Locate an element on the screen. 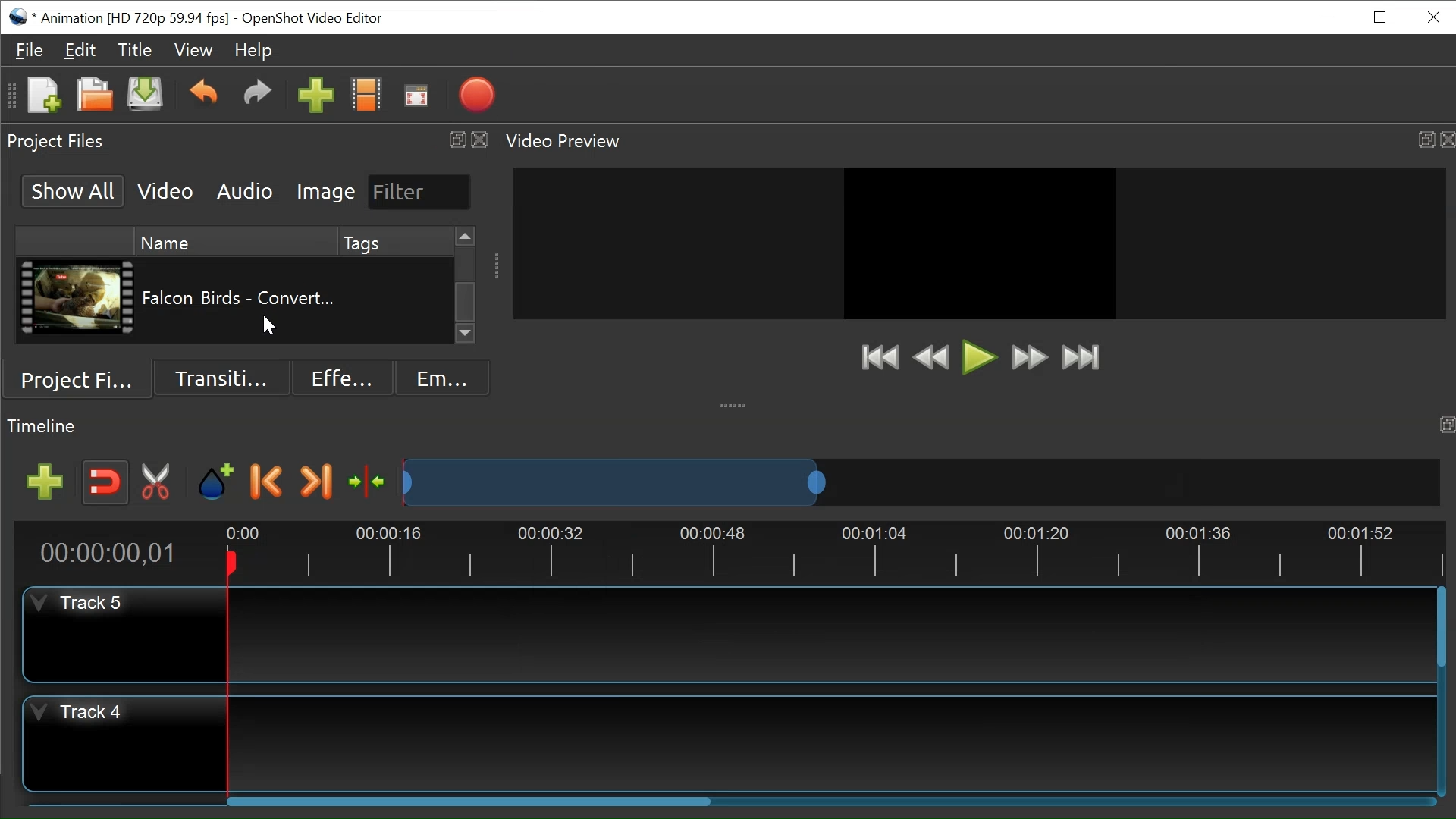 This screenshot has width=1456, height=819. Add Marker is located at coordinates (215, 481).